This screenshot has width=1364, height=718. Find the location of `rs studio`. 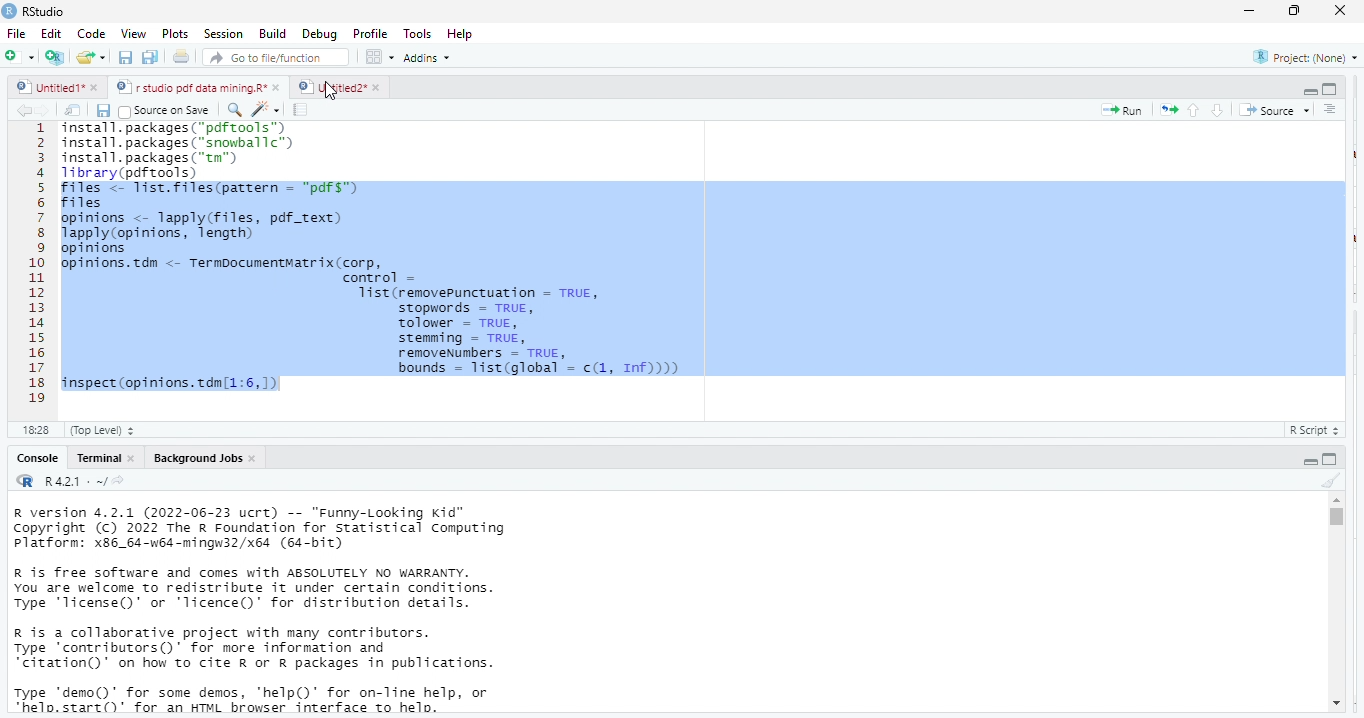

rs studio is located at coordinates (45, 11).